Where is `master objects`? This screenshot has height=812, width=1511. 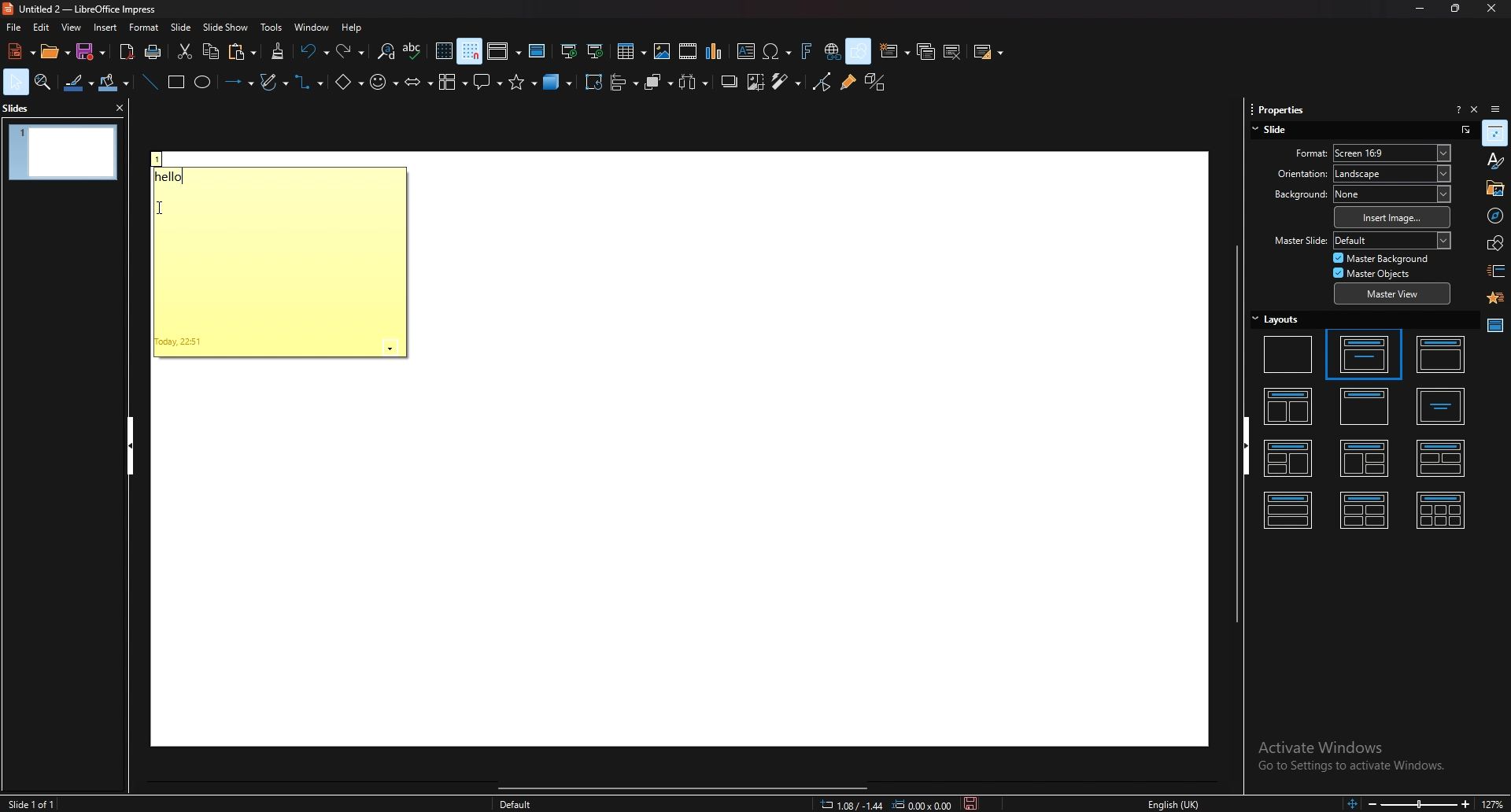 master objects is located at coordinates (1376, 273).